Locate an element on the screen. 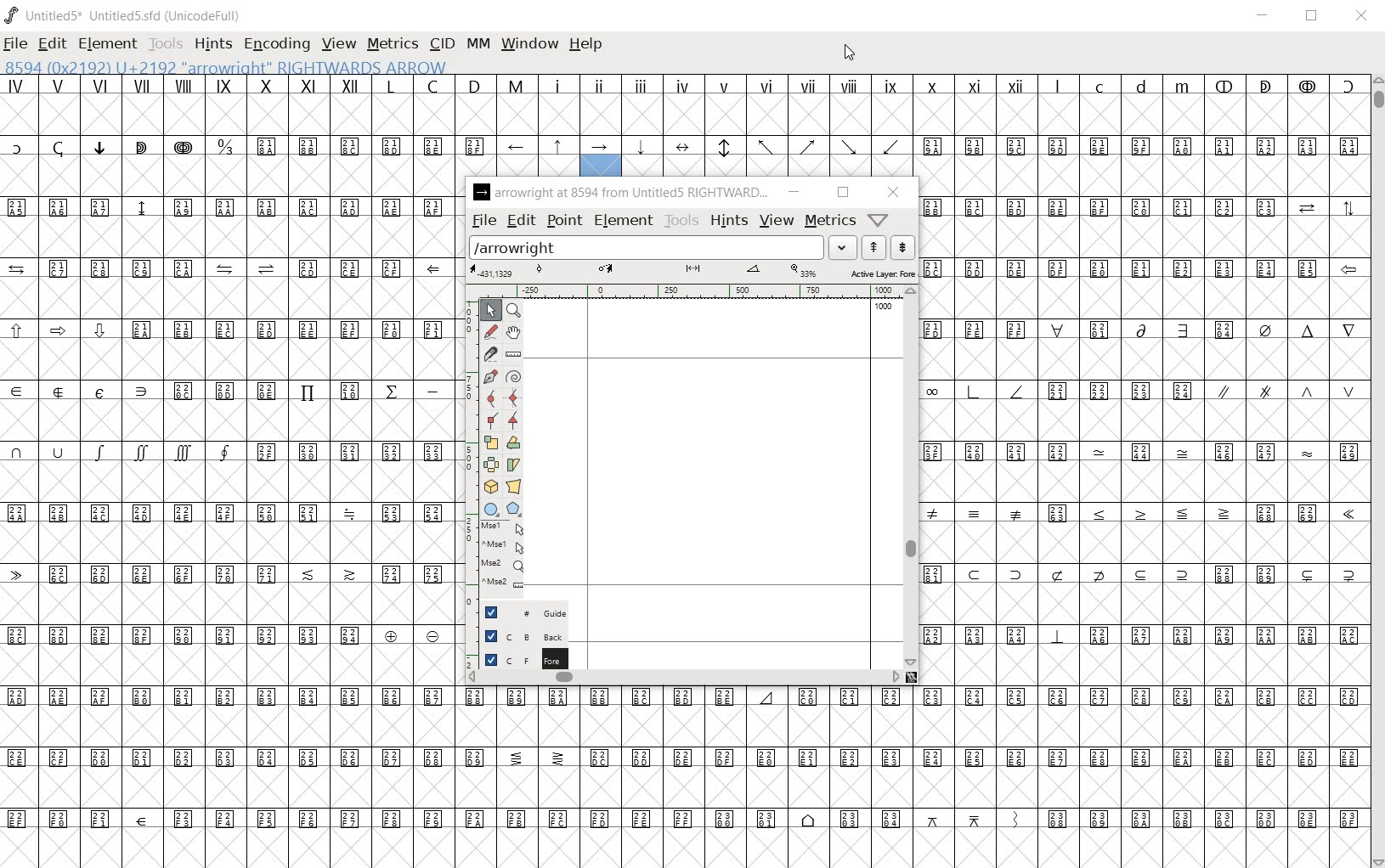 This screenshot has height=868, width=1385. load word list is located at coordinates (661, 247).